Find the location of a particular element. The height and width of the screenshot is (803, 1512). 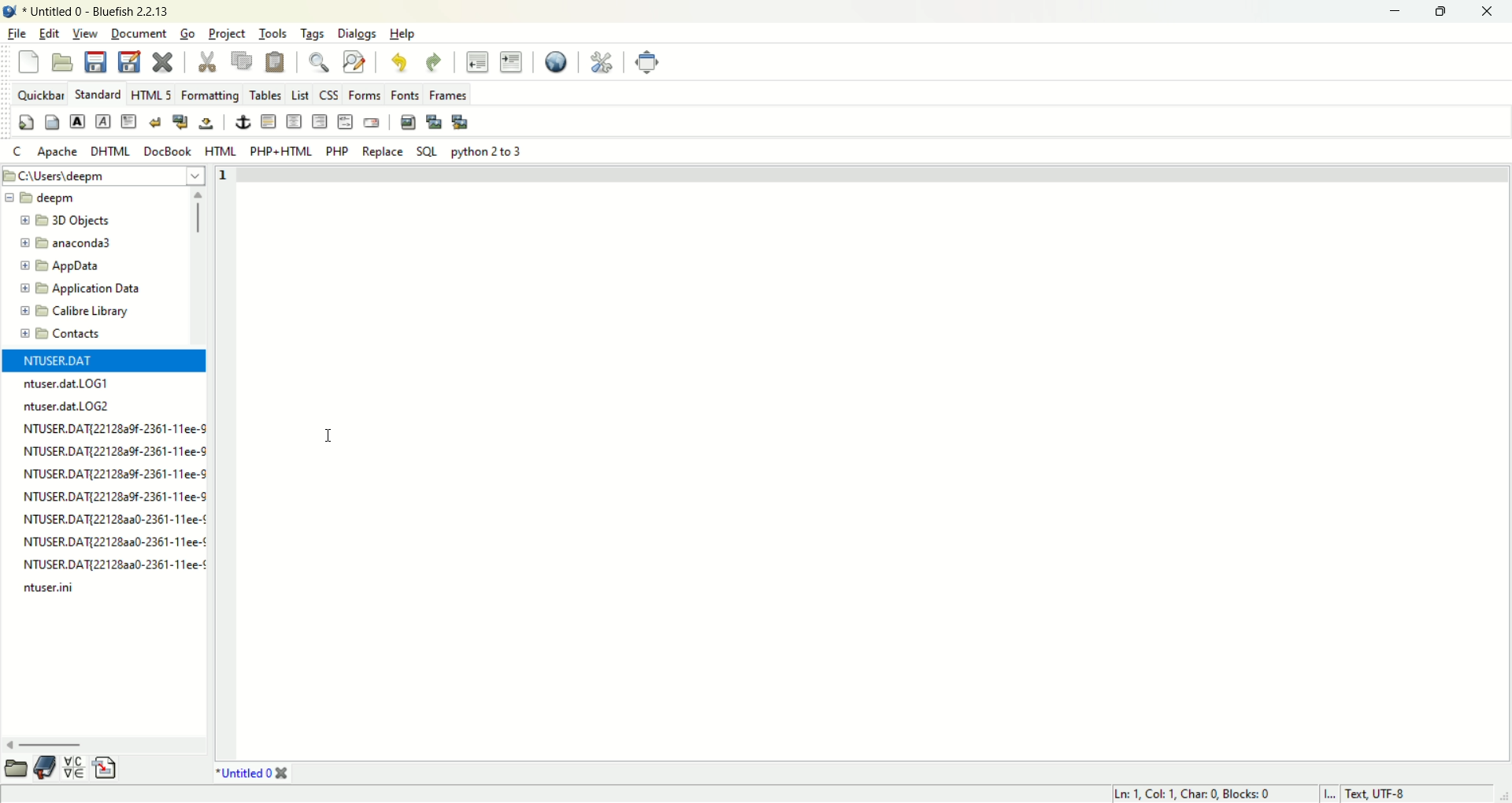

help is located at coordinates (407, 34).